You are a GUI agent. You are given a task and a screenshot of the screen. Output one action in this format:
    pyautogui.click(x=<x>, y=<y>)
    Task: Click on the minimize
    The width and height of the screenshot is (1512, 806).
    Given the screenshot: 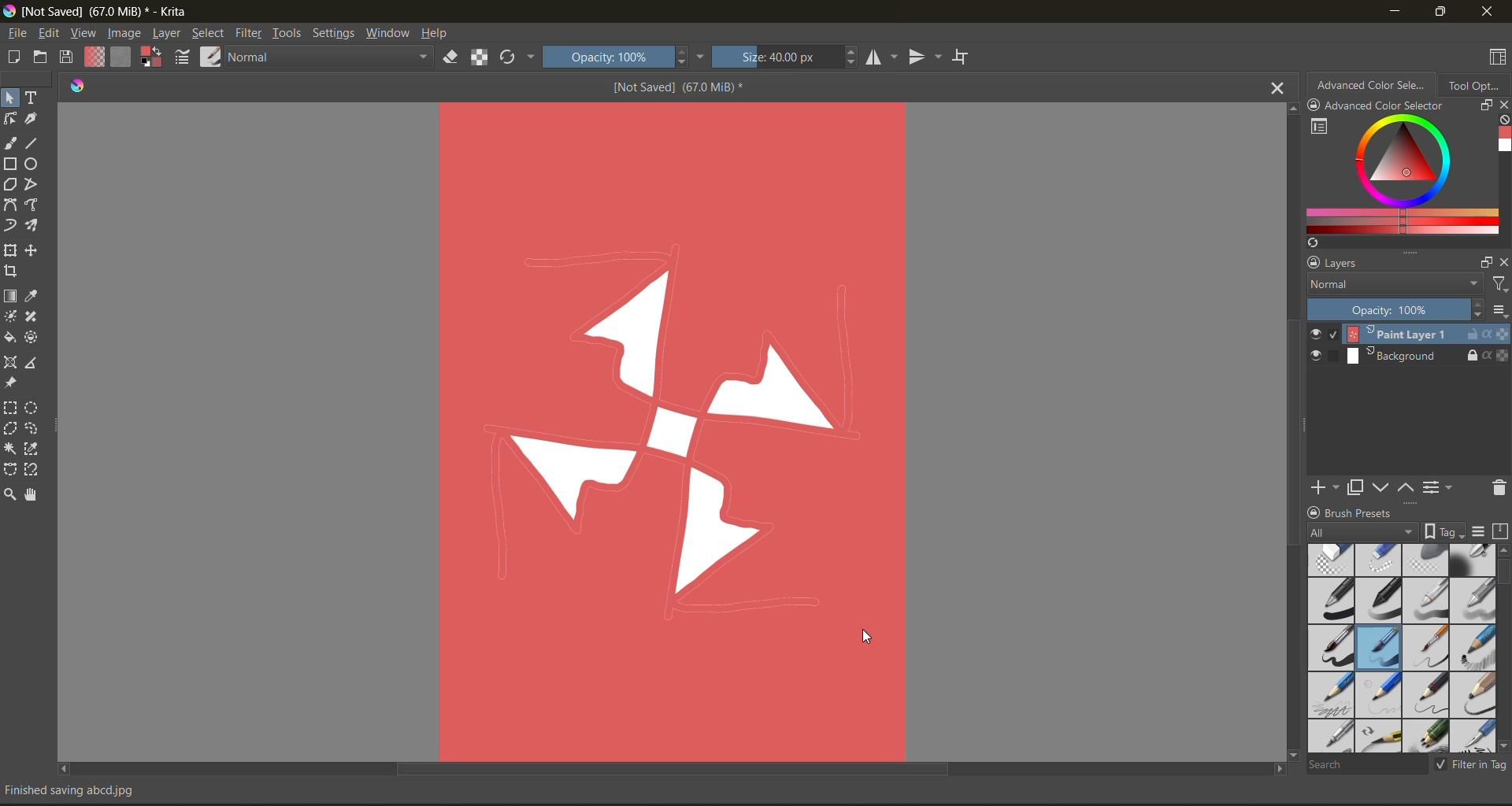 What is the action you would take?
    pyautogui.click(x=1396, y=14)
    